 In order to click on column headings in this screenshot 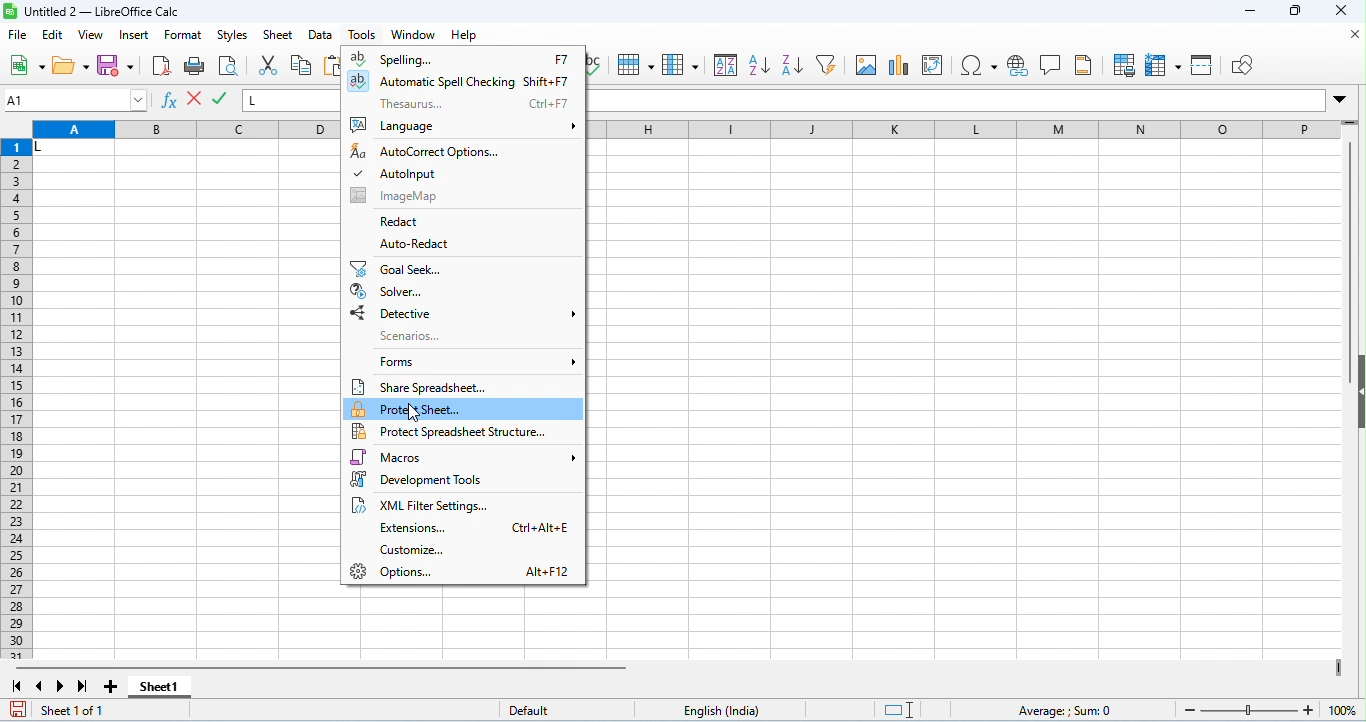, I will do `click(960, 128)`.